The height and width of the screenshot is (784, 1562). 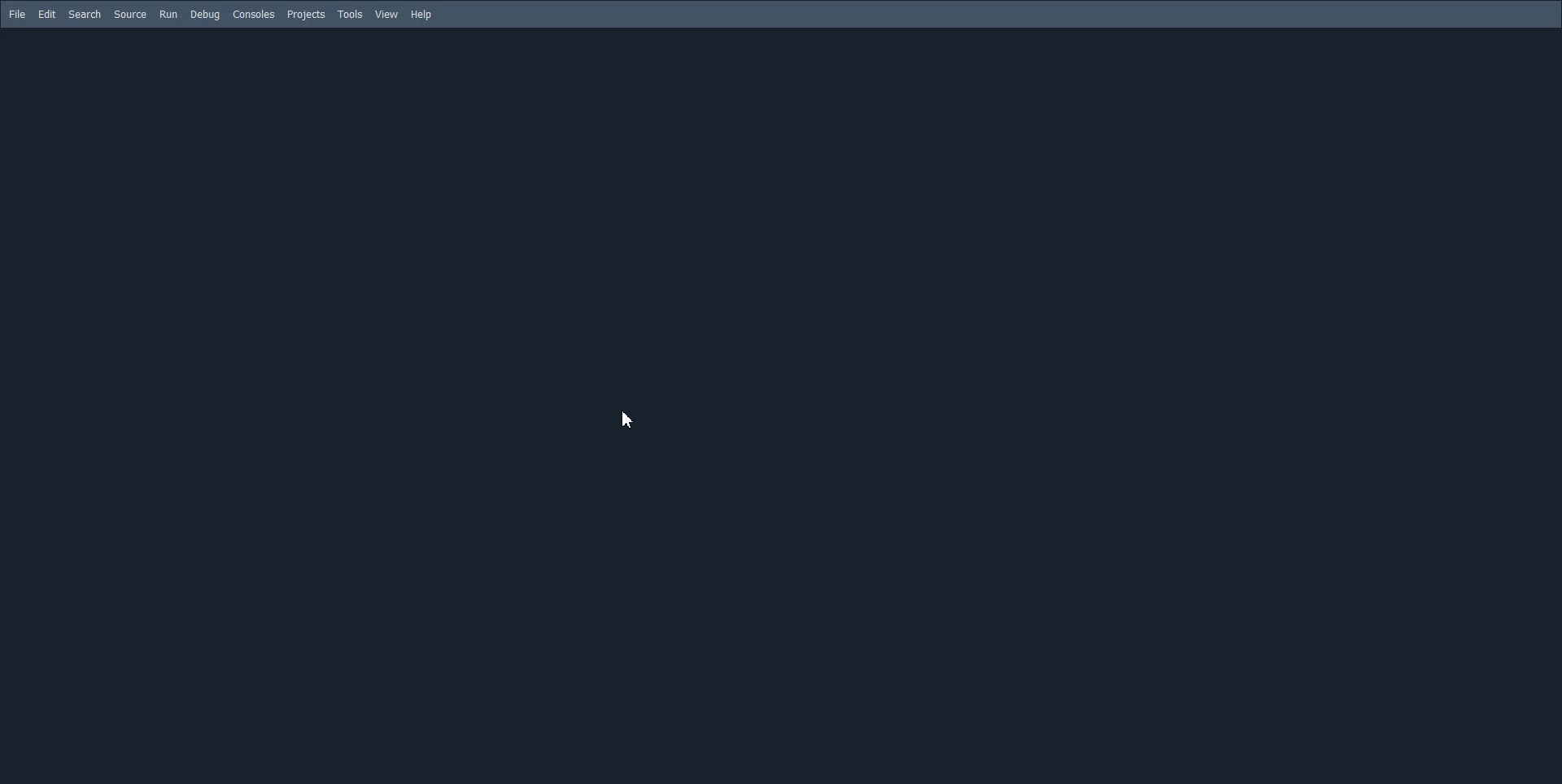 I want to click on Search, so click(x=85, y=15).